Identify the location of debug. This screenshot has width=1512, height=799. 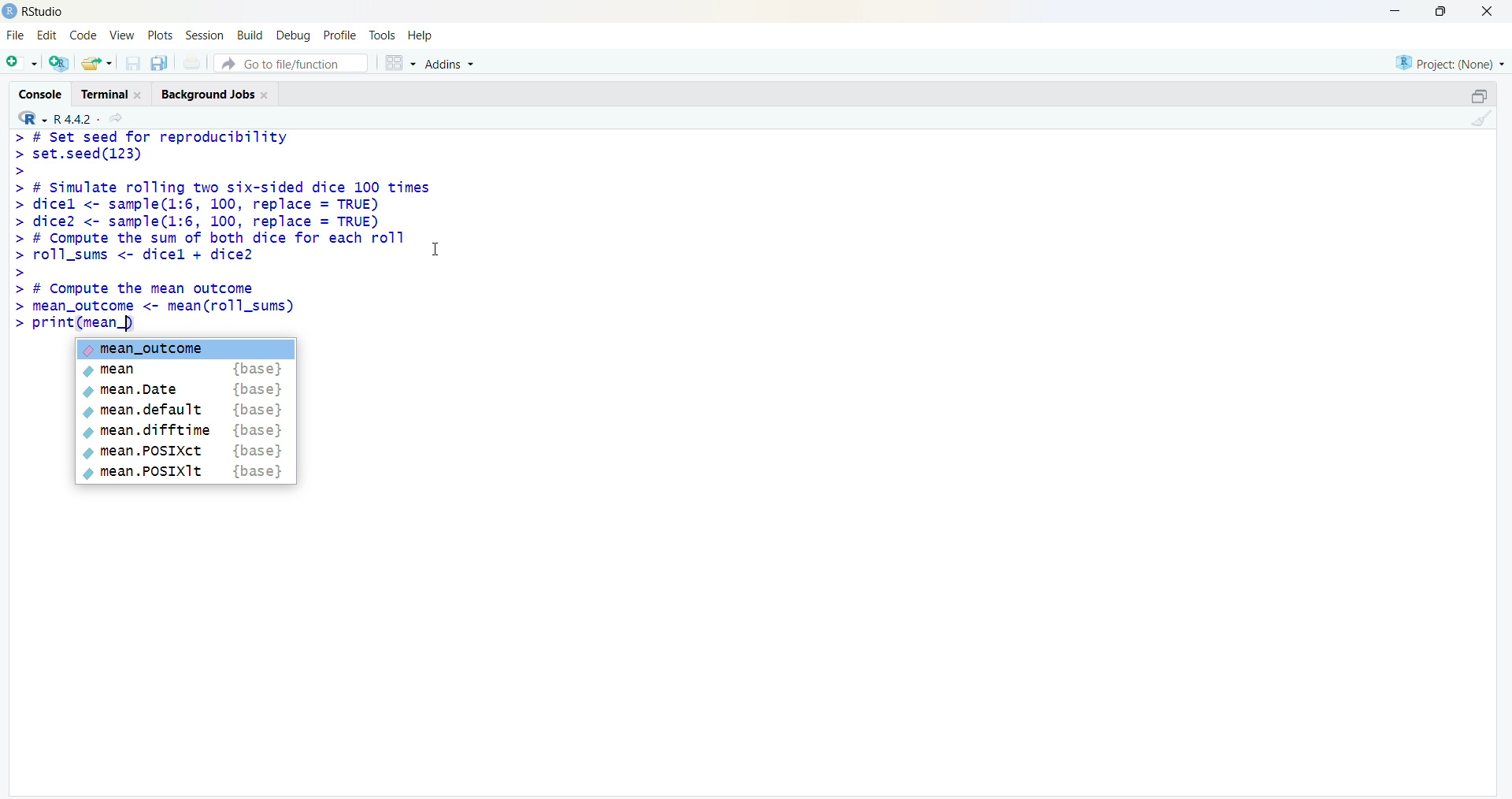
(292, 36).